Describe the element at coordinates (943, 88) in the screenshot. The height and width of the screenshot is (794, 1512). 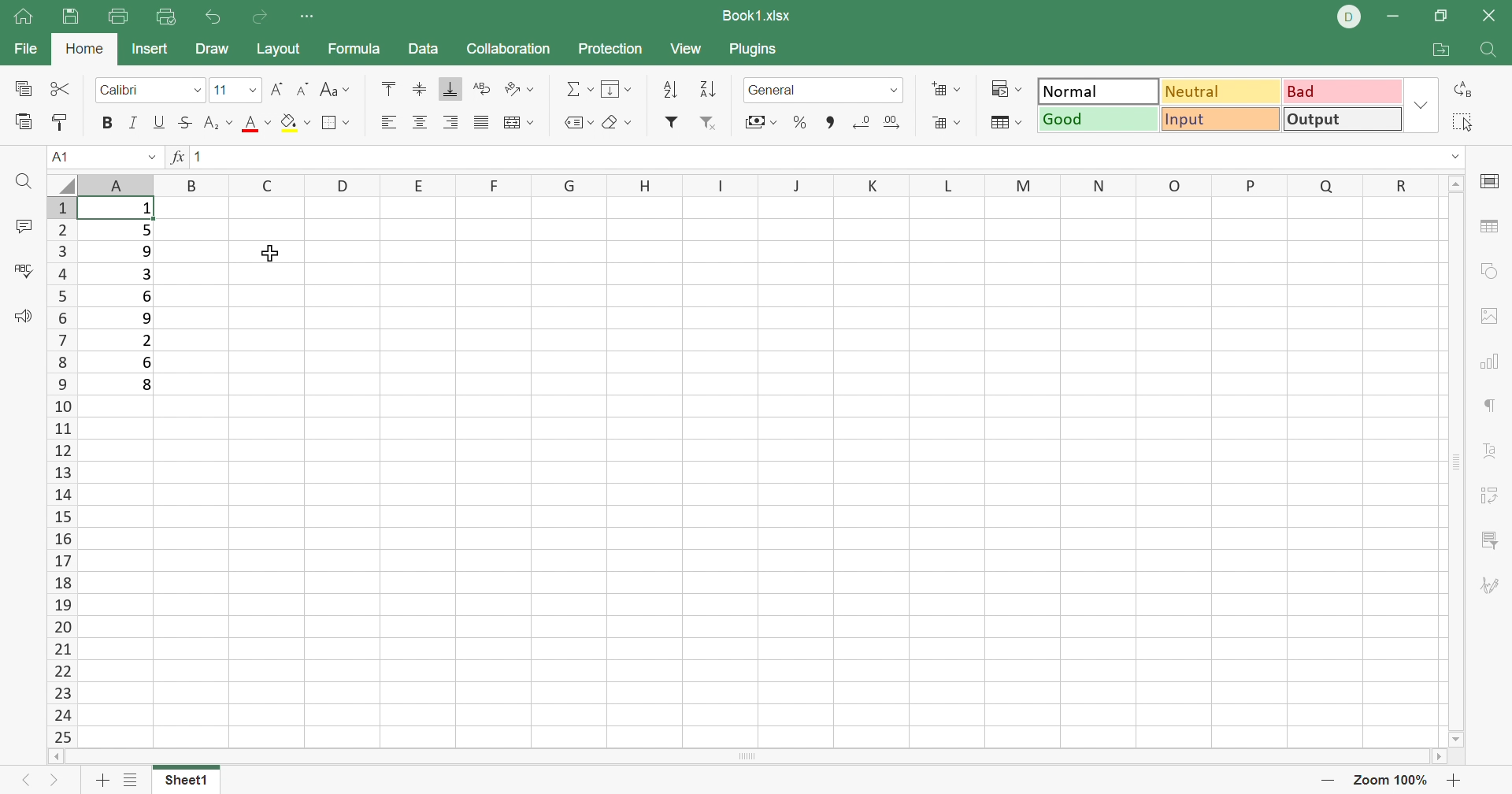
I see `Add cells` at that location.